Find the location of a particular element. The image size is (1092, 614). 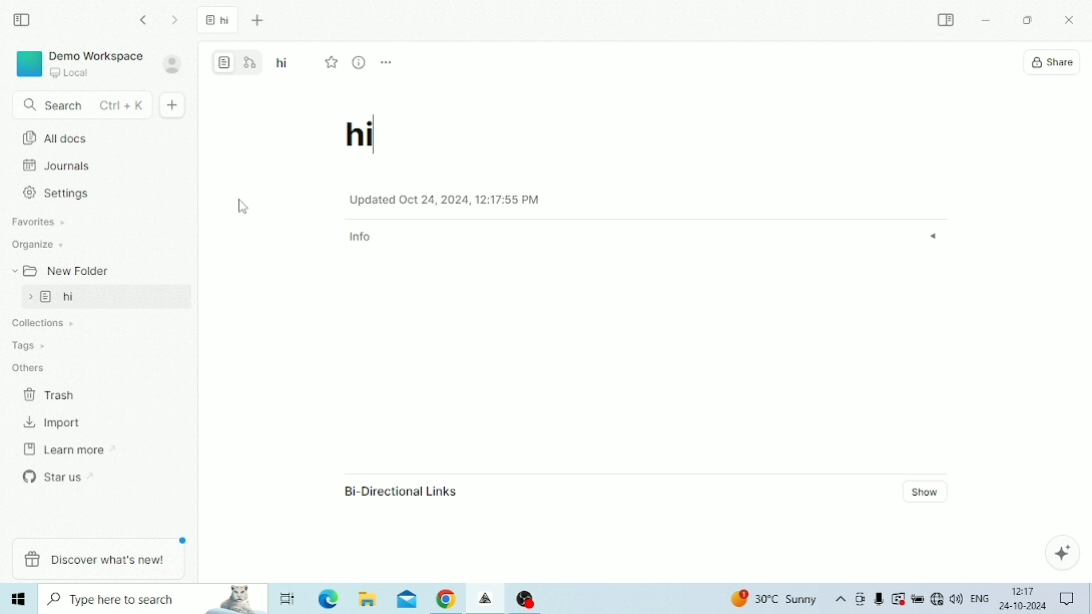

Charging, plugged in is located at coordinates (917, 599).